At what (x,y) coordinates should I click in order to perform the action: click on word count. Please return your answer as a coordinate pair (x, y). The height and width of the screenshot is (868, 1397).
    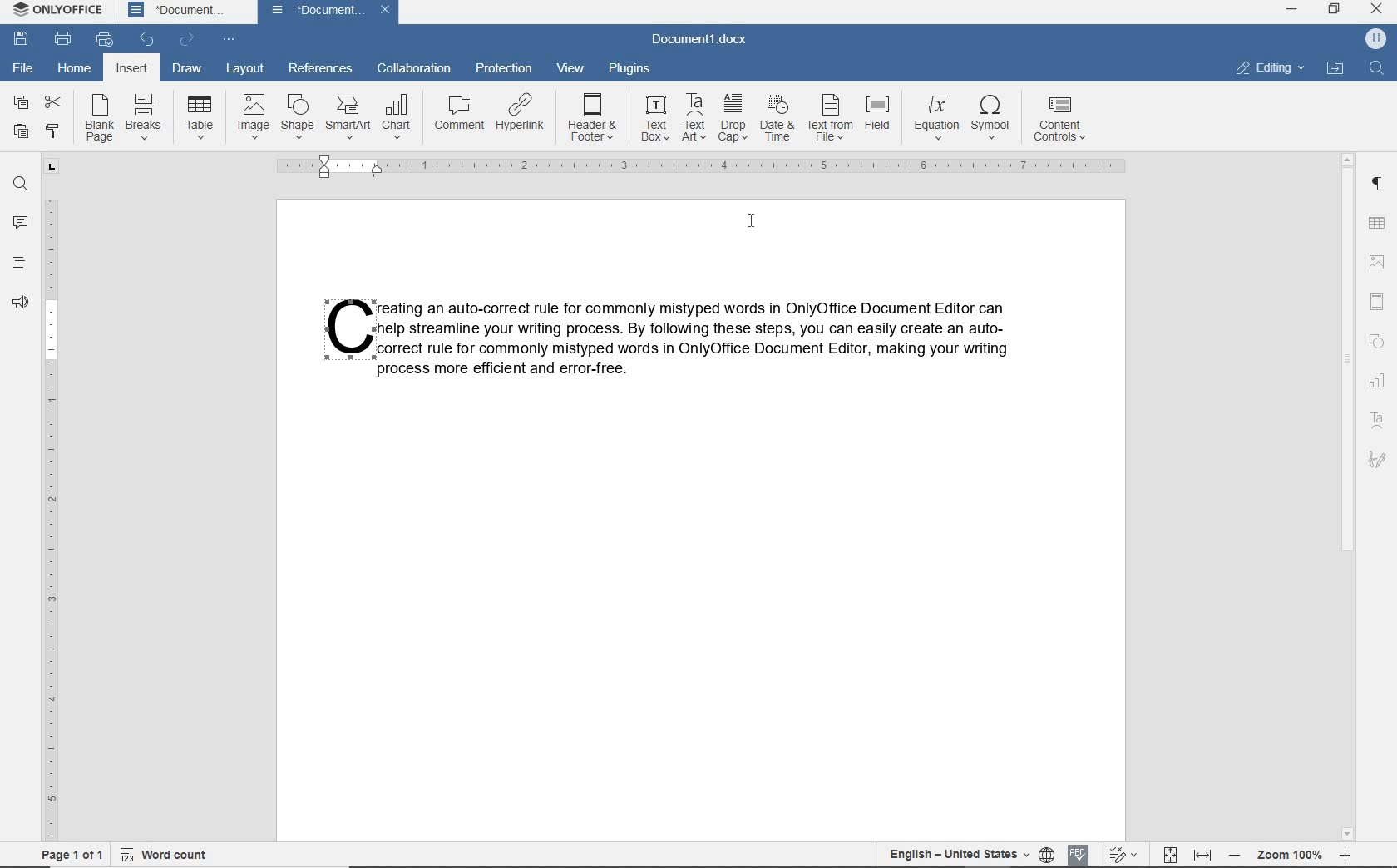
    Looking at the image, I should click on (170, 856).